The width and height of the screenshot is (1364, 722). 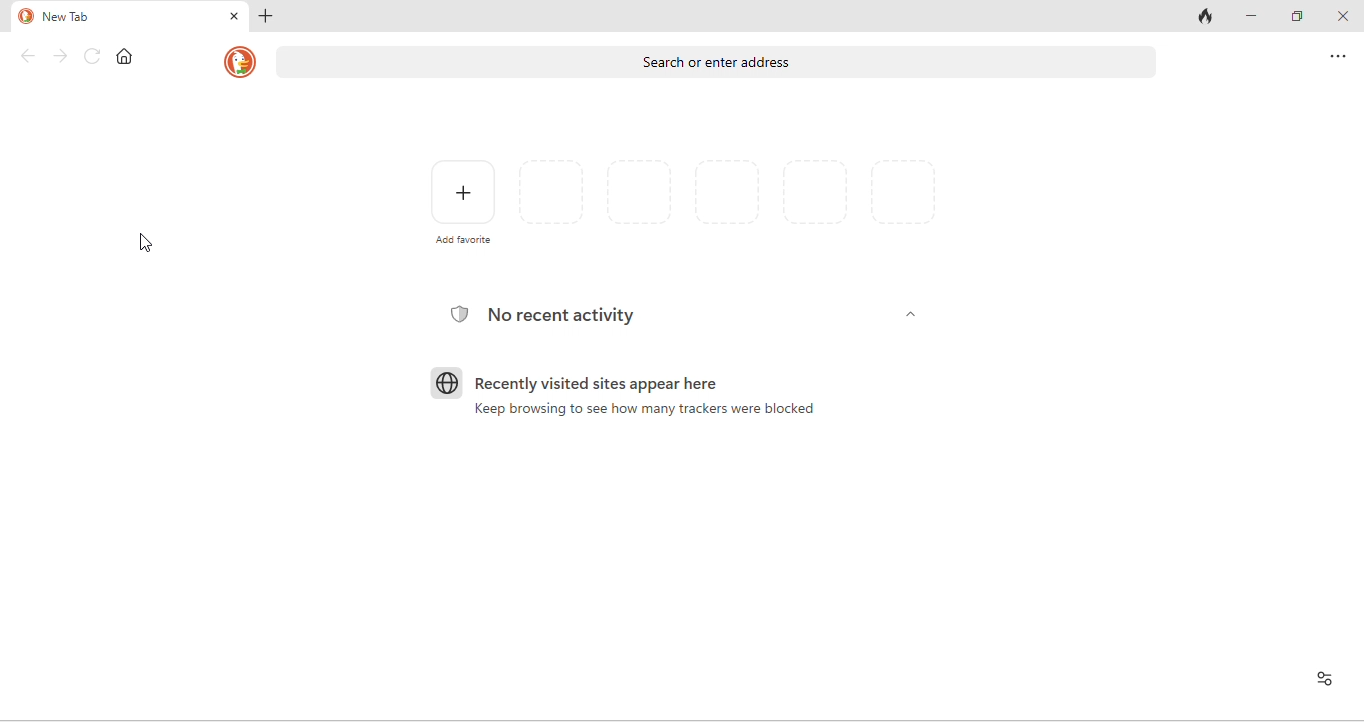 I want to click on add tab, so click(x=268, y=15).